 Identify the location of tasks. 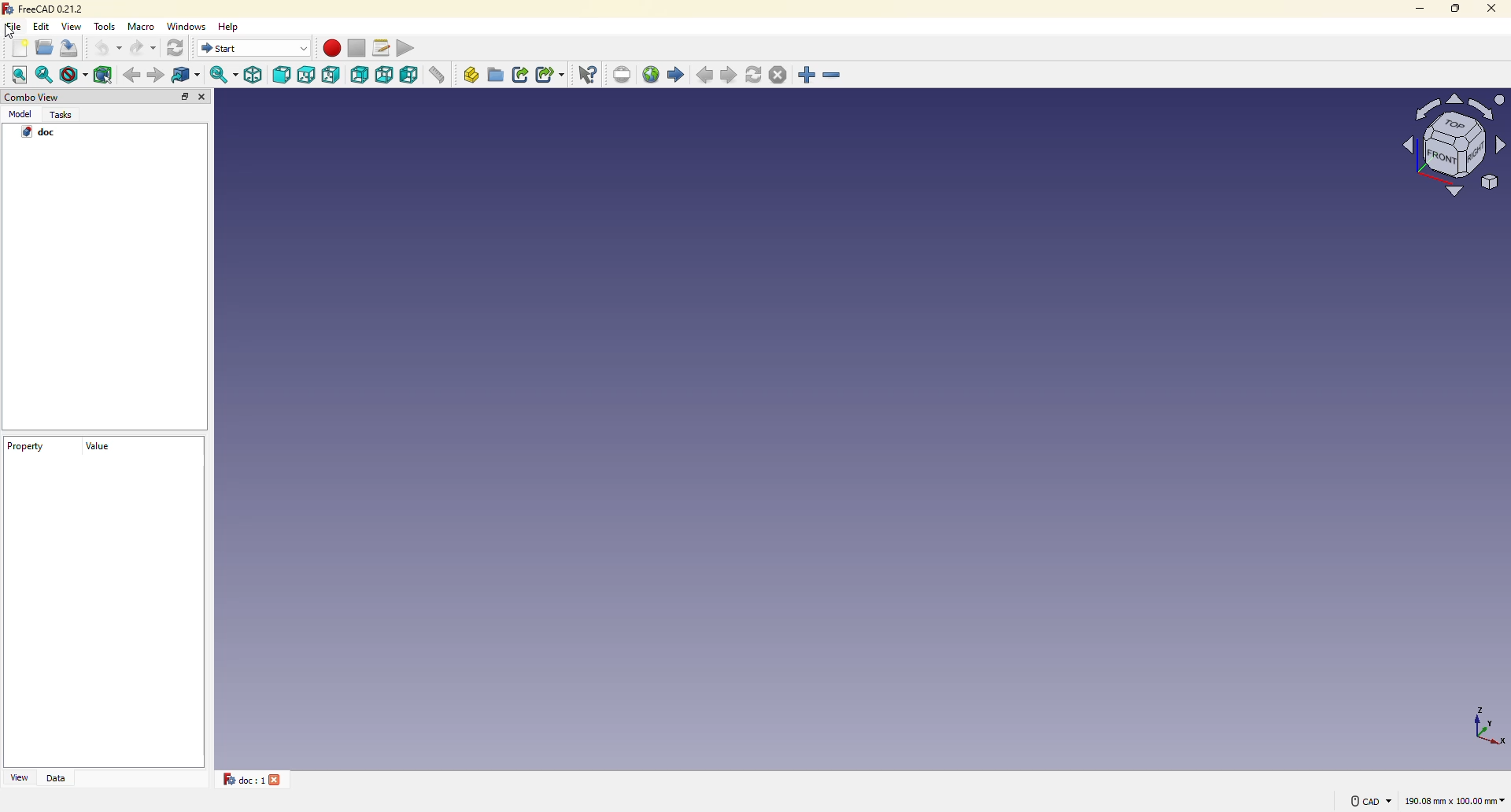
(64, 115).